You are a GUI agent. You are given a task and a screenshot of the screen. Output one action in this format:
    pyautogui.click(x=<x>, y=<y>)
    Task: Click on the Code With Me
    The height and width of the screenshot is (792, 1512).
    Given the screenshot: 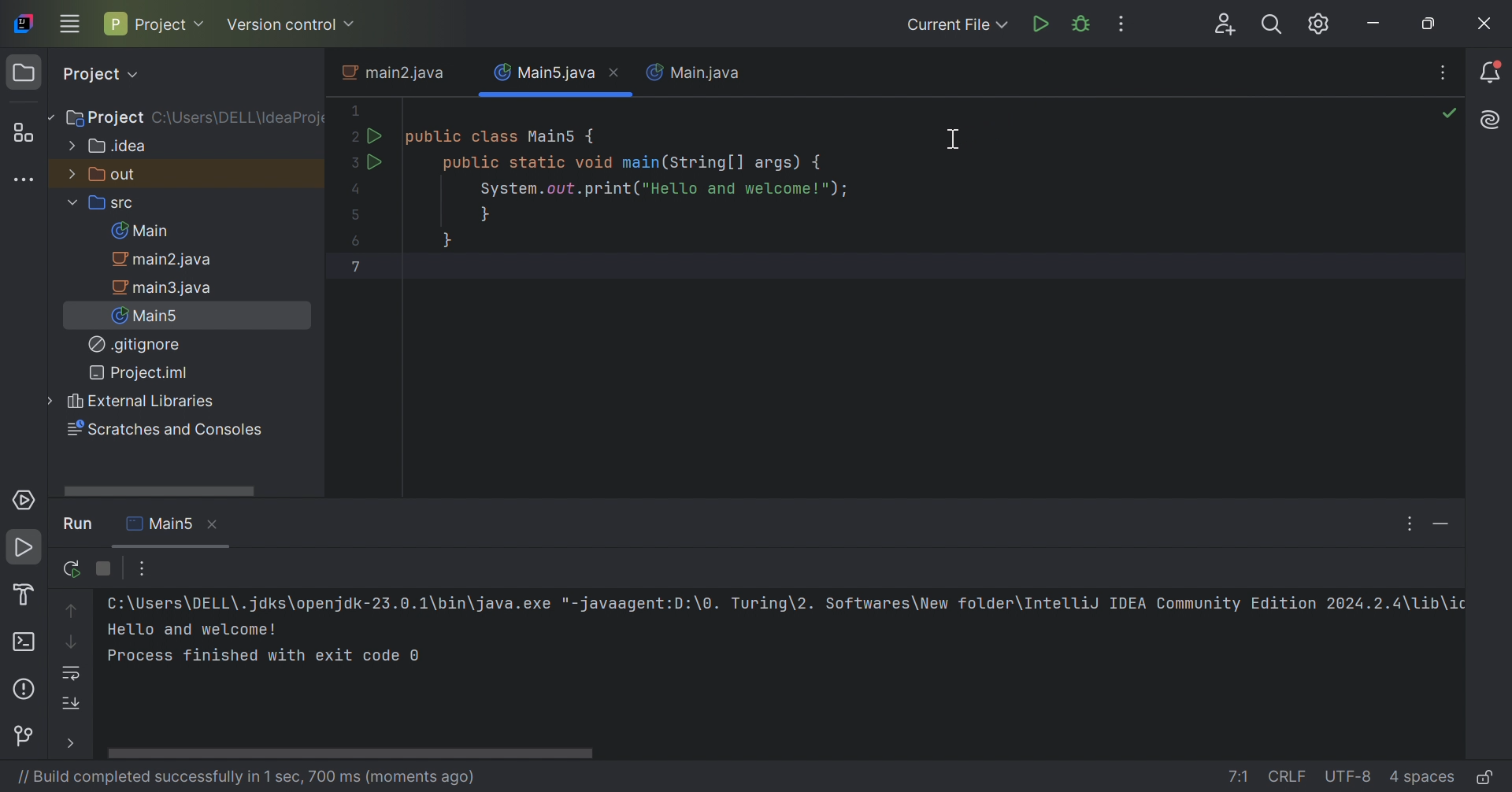 What is the action you would take?
    pyautogui.click(x=1223, y=24)
    